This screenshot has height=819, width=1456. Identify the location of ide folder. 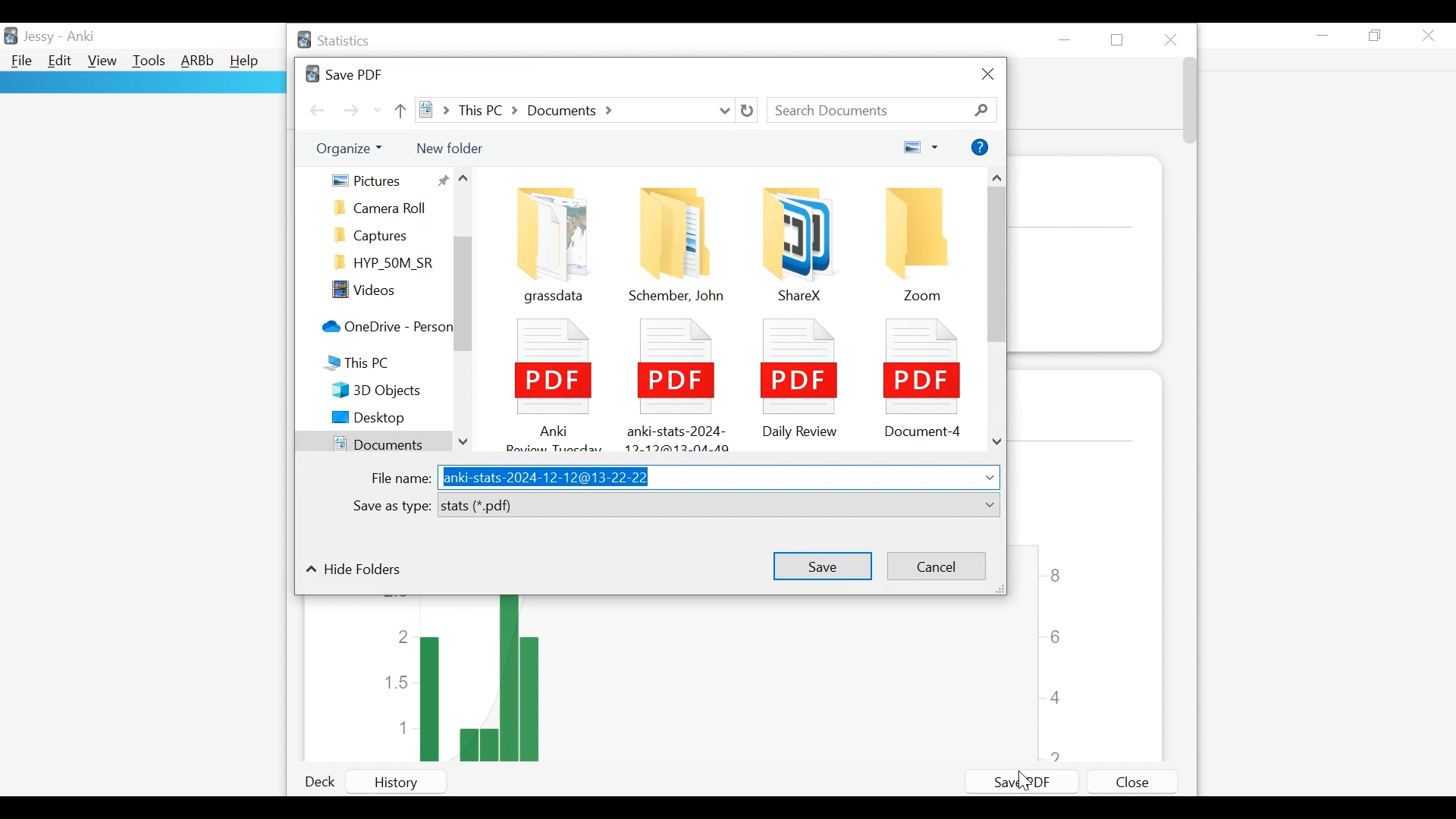
(354, 571).